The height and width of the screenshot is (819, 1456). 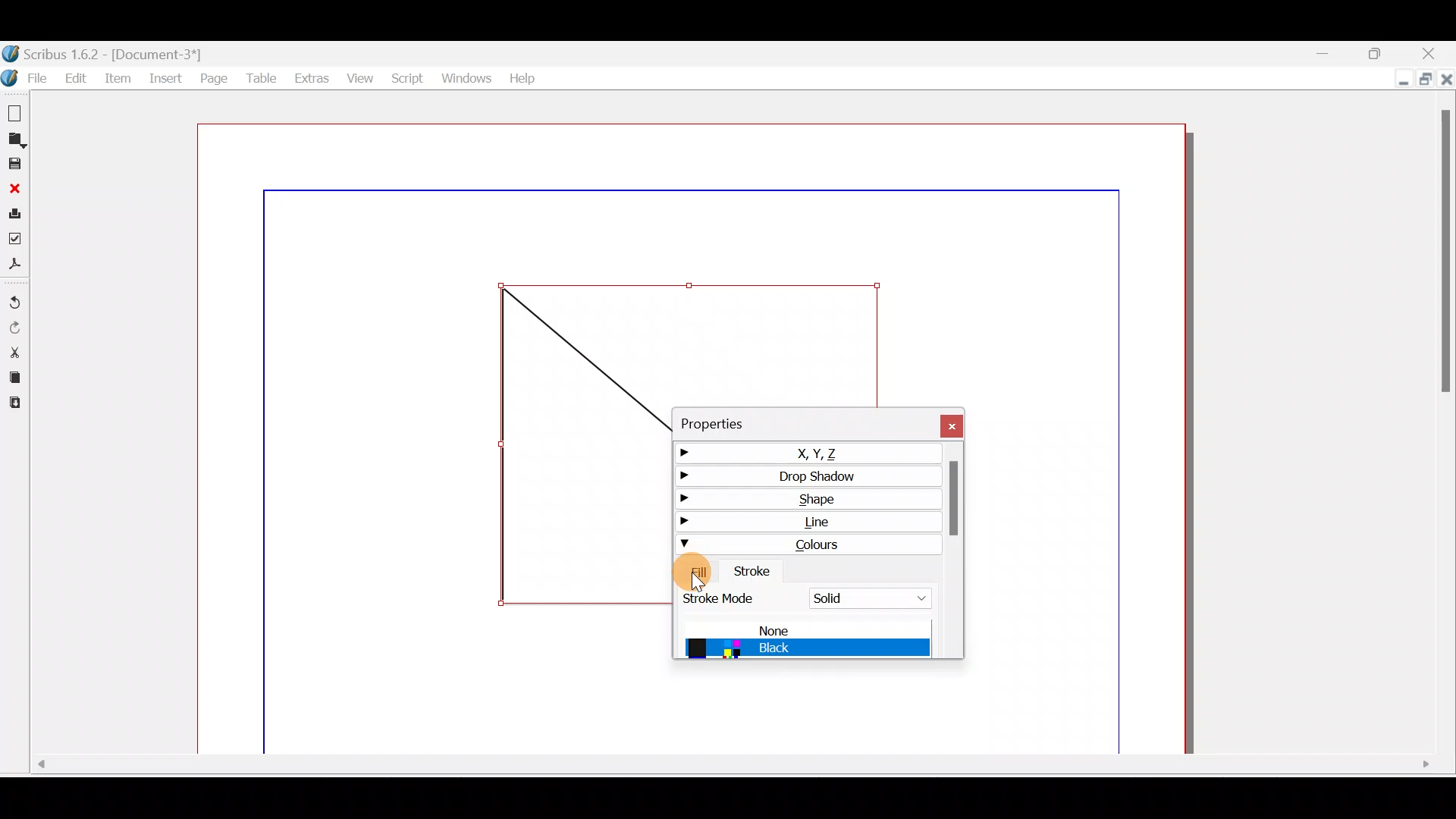 What do you see at coordinates (120, 52) in the screenshot?
I see `Document name` at bounding box center [120, 52].